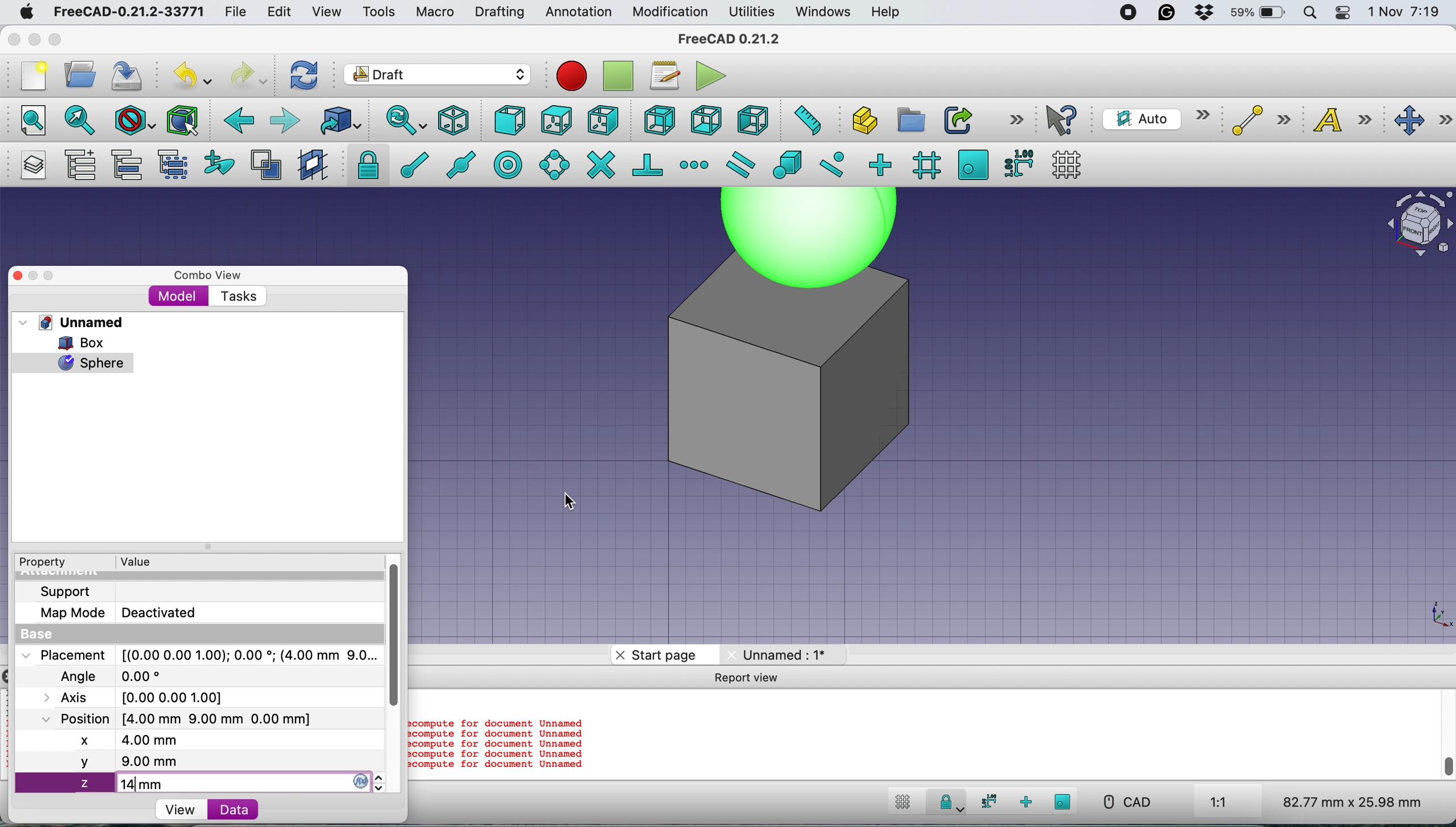 The height and width of the screenshot is (827, 1456). What do you see at coordinates (507, 164) in the screenshot?
I see `snap center` at bounding box center [507, 164].